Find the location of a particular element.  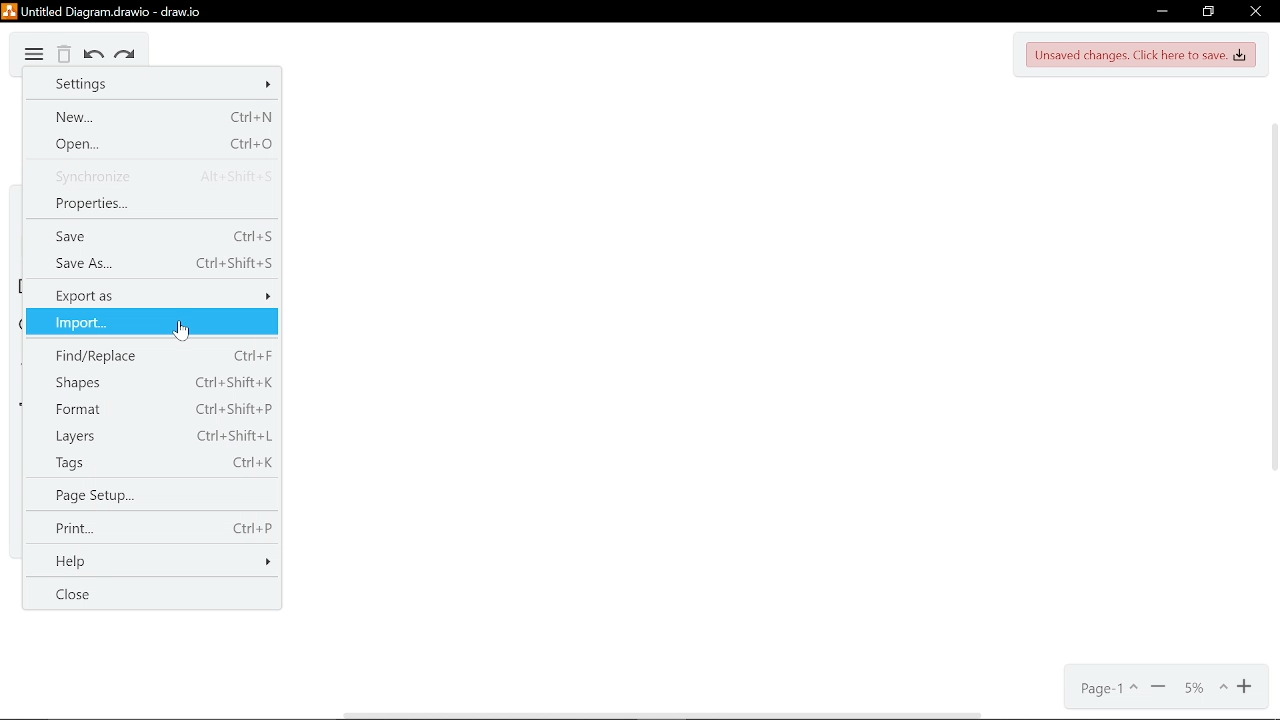

Shapes (shortcut Ctrl+Shift+K) is located at coordinates (152, 383).